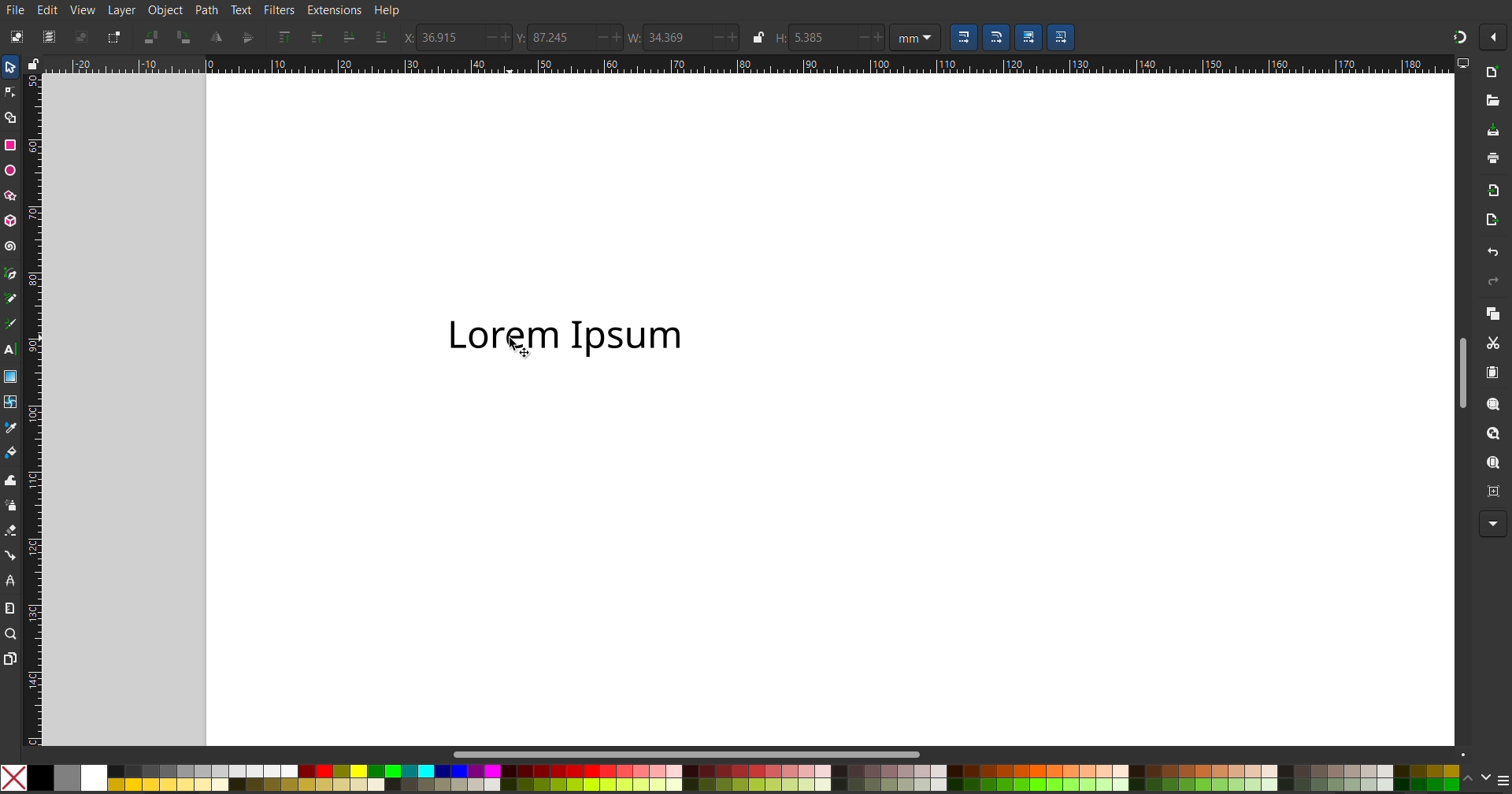  I want to click on Move to top, so click(287, 39).